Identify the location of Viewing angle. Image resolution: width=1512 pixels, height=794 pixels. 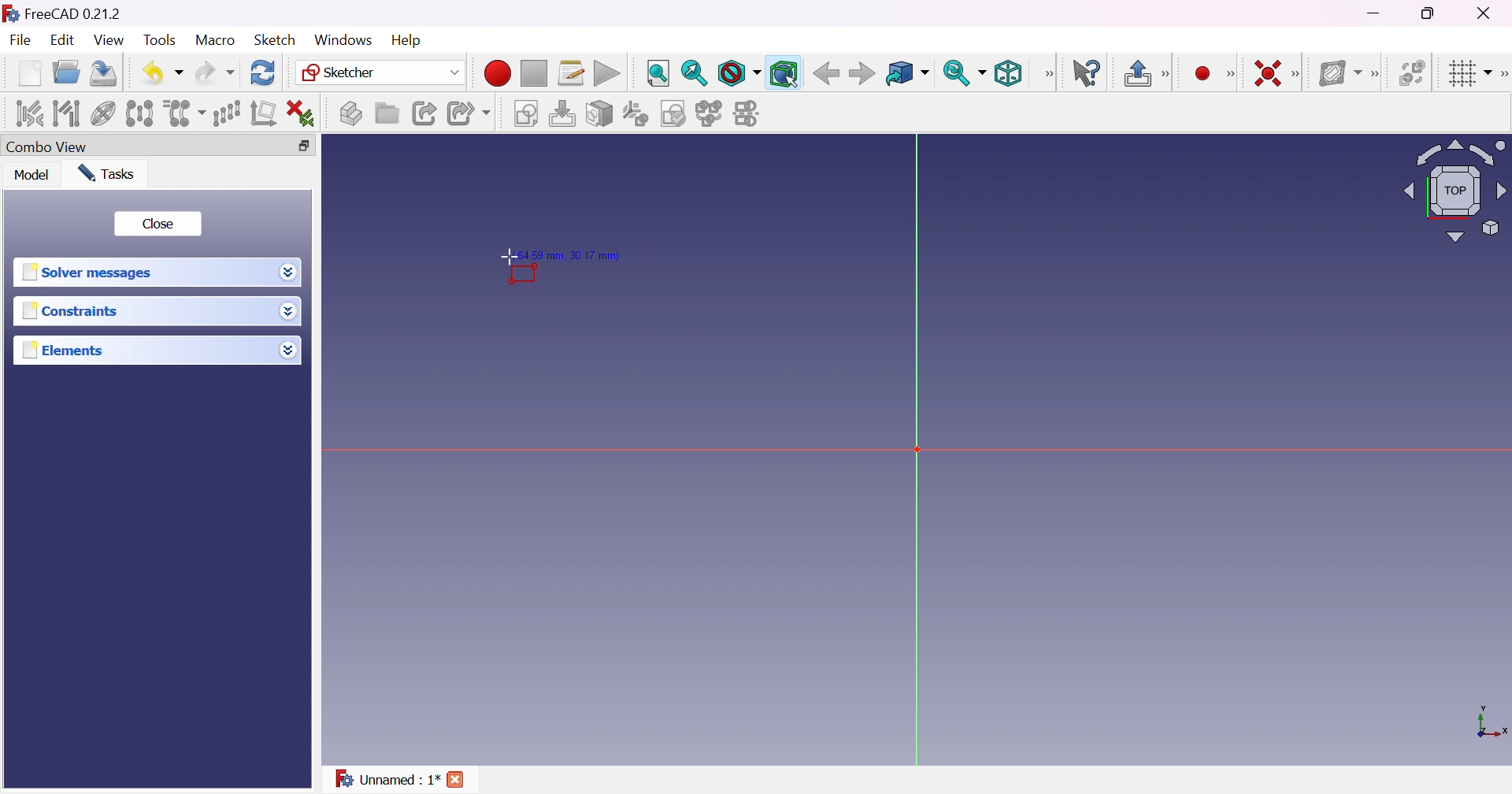
(1455, 191).